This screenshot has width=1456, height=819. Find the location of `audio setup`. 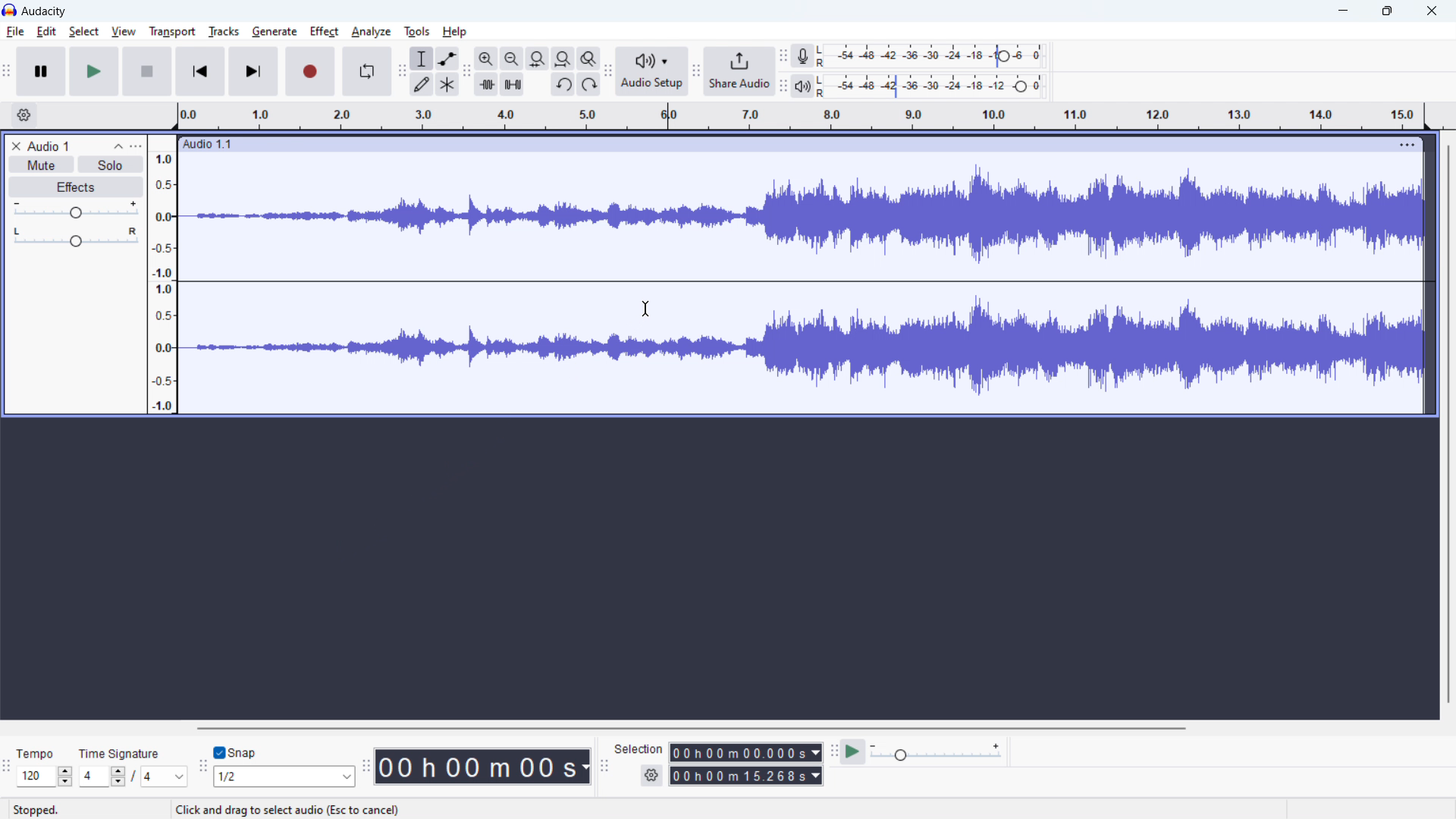

audio setup is located at coordinates (651, 71).